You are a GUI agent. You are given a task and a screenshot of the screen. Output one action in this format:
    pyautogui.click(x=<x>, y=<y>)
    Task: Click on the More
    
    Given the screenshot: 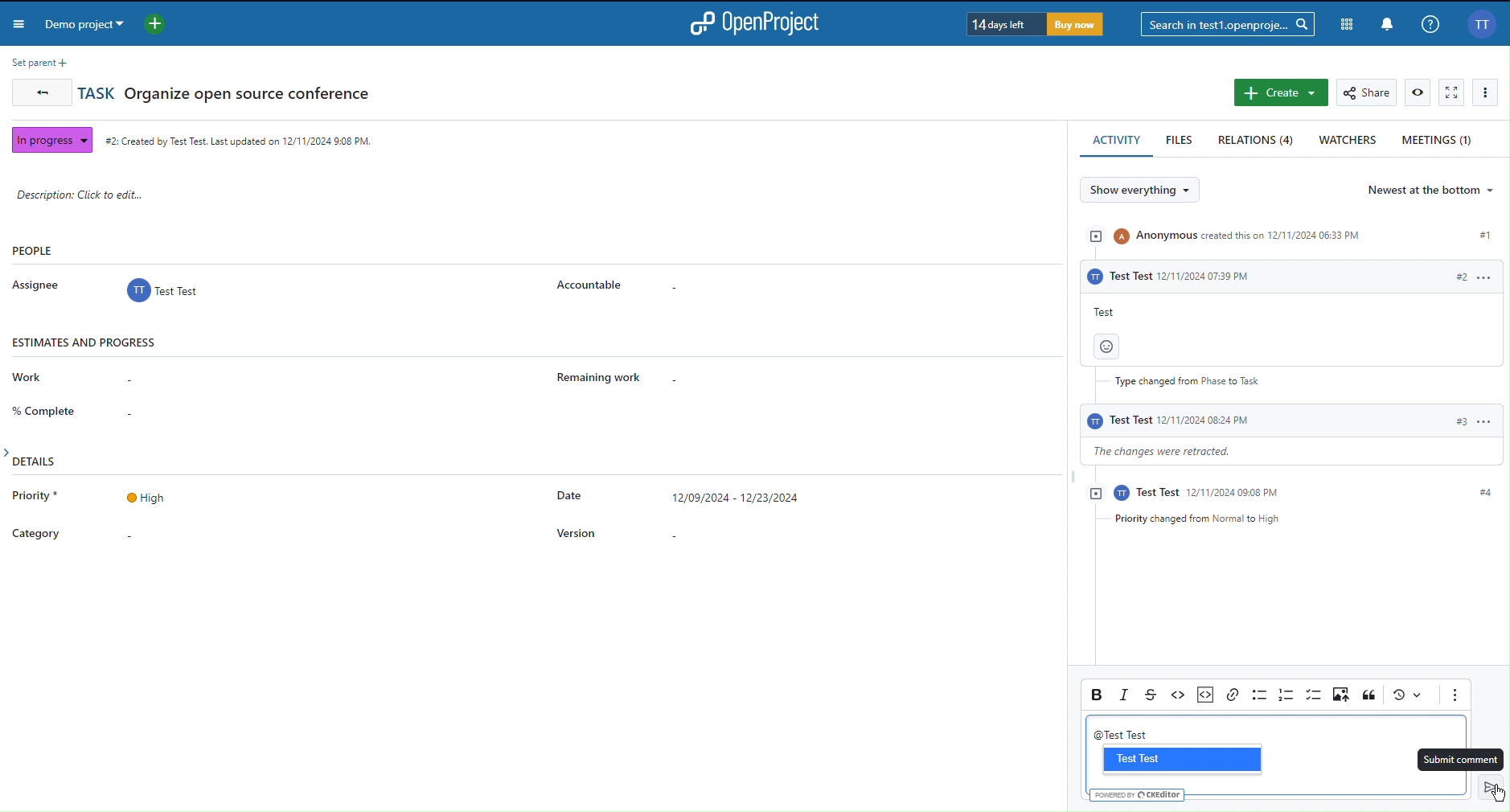 What is the action you would take?
    pyautogui.click(x=1455, y=695)
    